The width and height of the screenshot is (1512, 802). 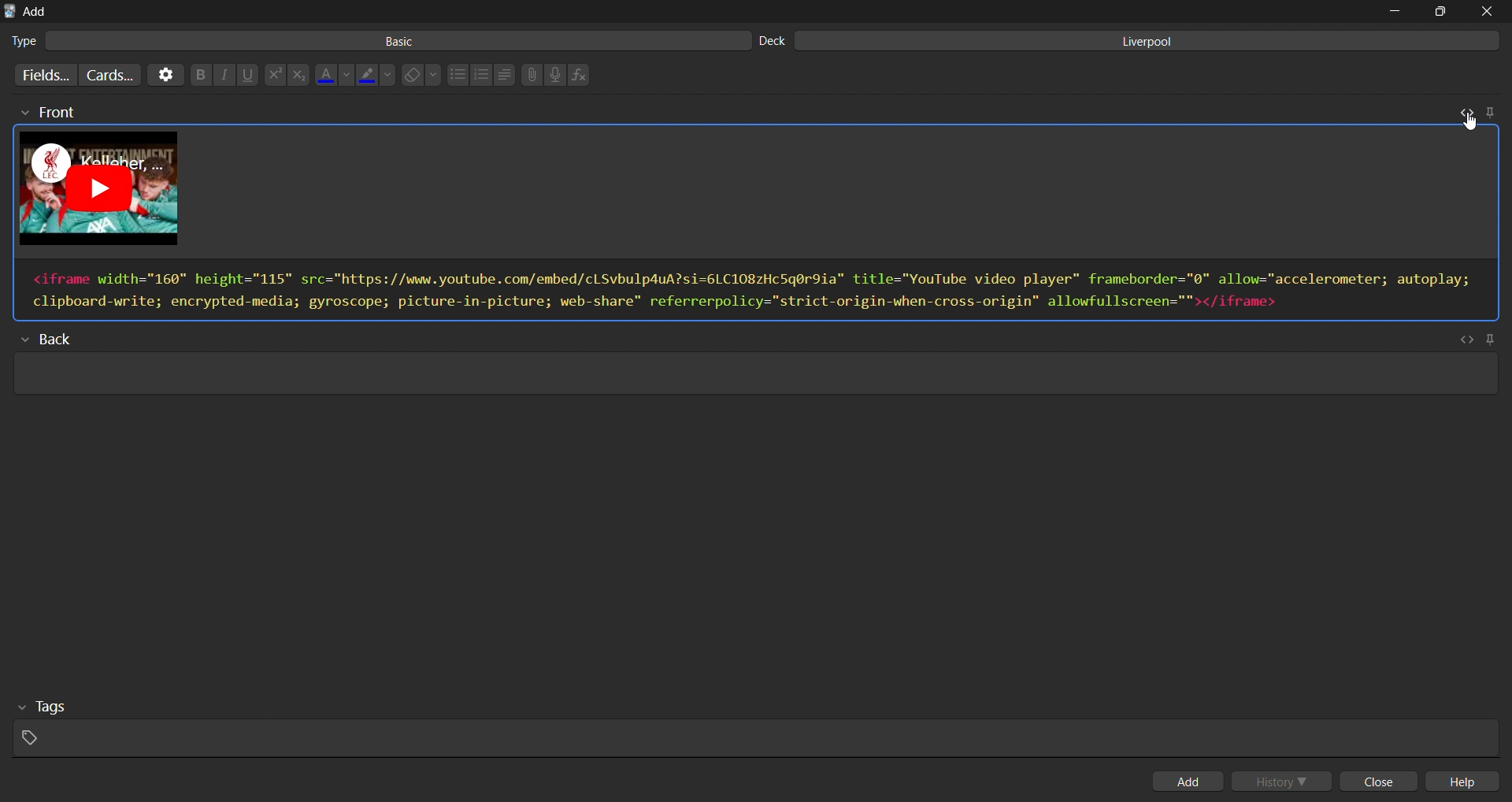 I want to click on ordered list, so click(x=481, y=75).